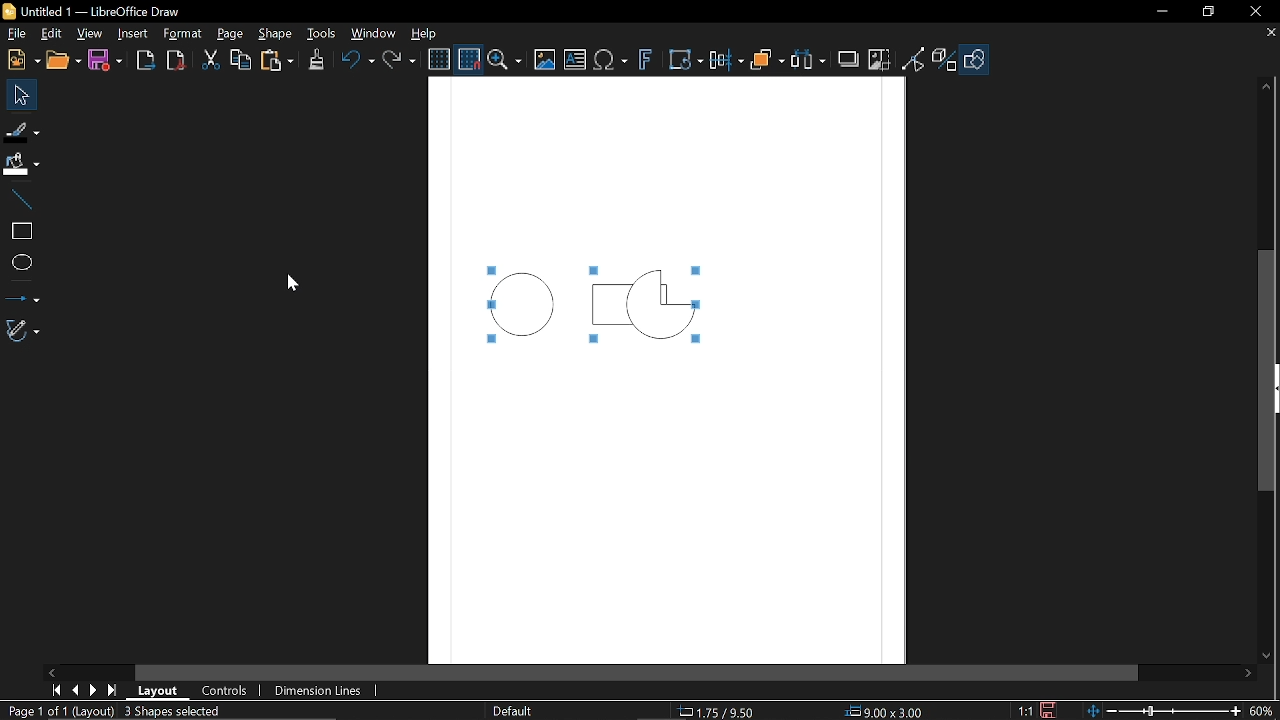  Describe the element at coordinates (642, 62) in the screenshot. I see `Insert fontwork` at that location.